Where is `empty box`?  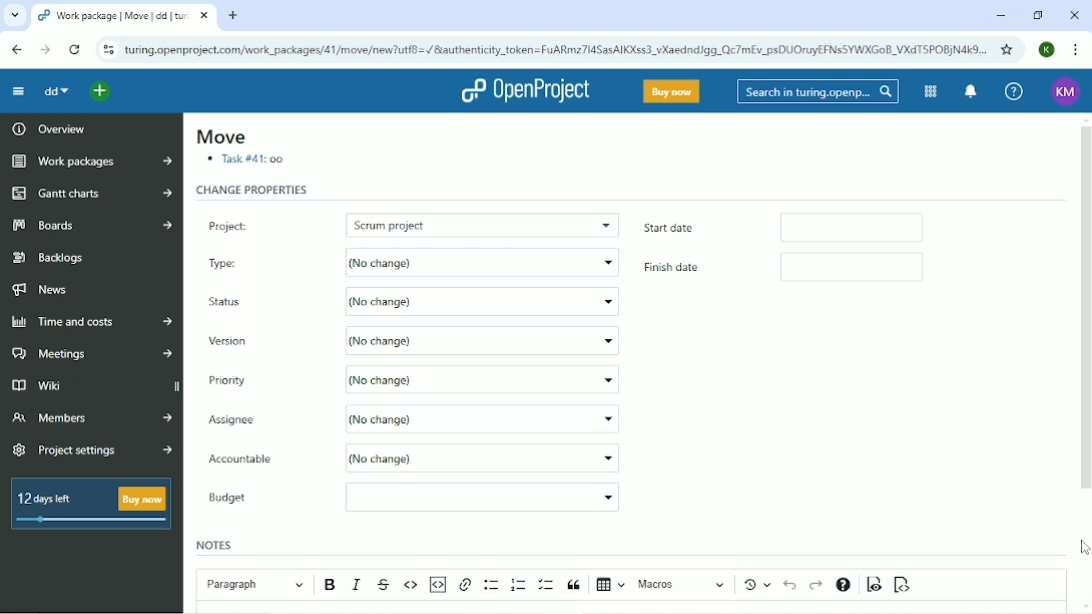 empty box is located at coordinates (862, 226).